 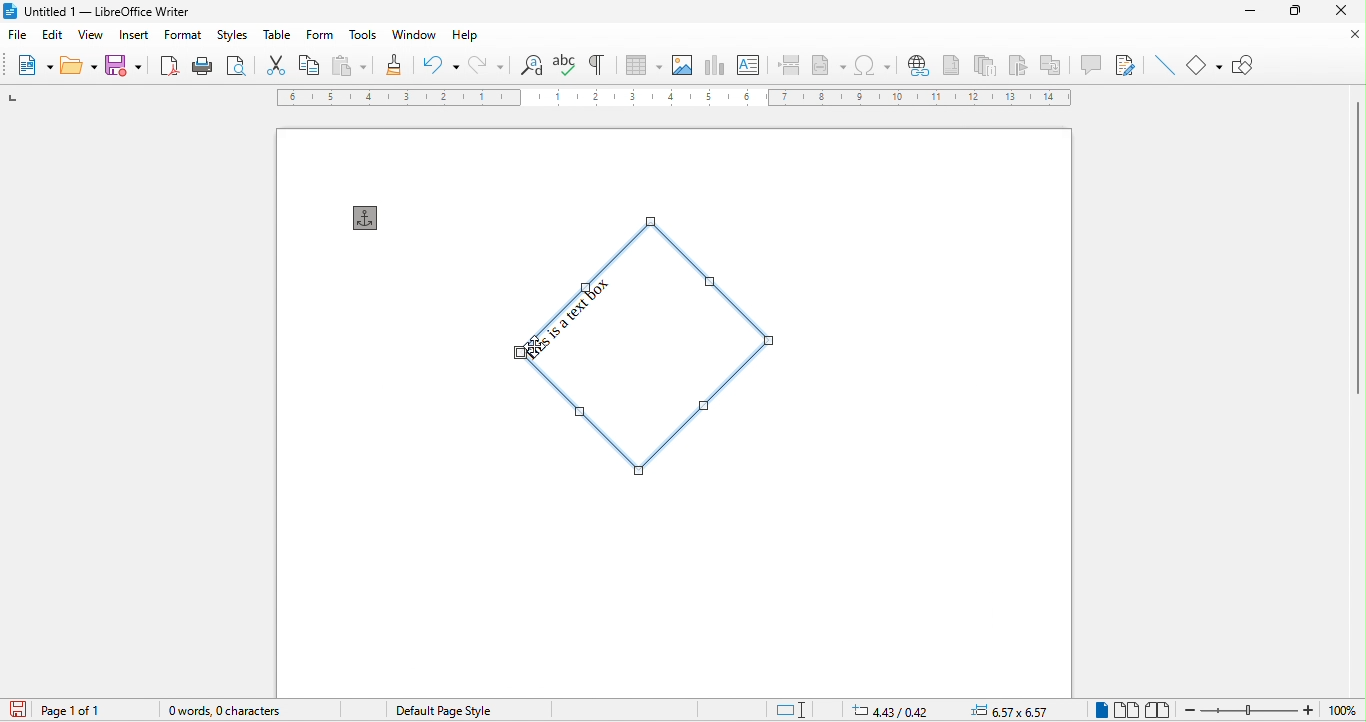 What do you see at coordinates (1157, 709) in the screenshot?
I see `book view` at bounding box center [1157, 709].